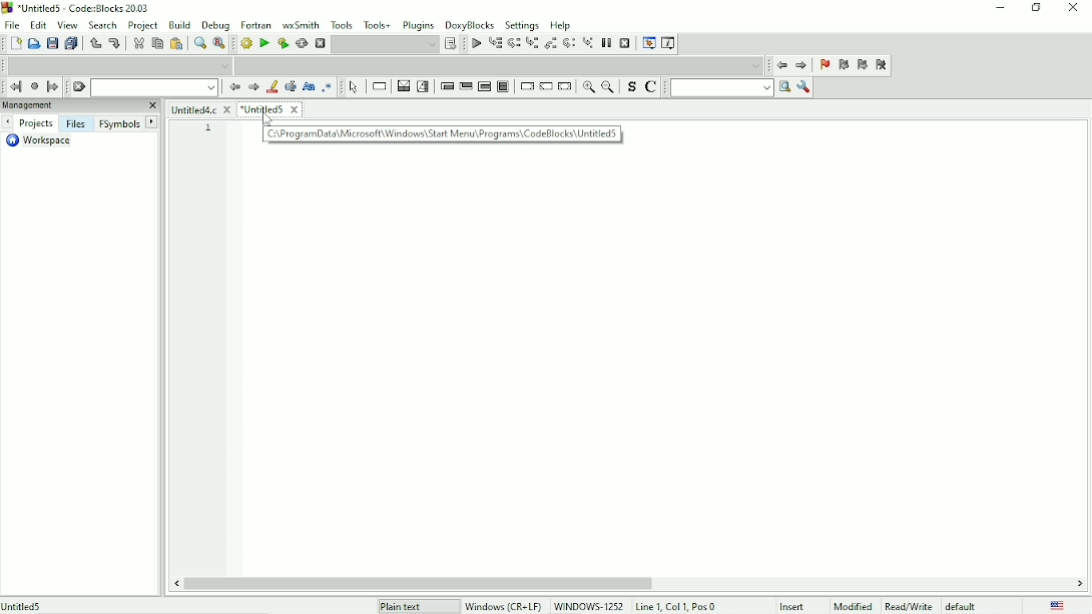 The height and width of the screenshot is (614, 1092). Describe the element at coordinates (71, 43) in the screenshot. I see `Save everything` at that location.